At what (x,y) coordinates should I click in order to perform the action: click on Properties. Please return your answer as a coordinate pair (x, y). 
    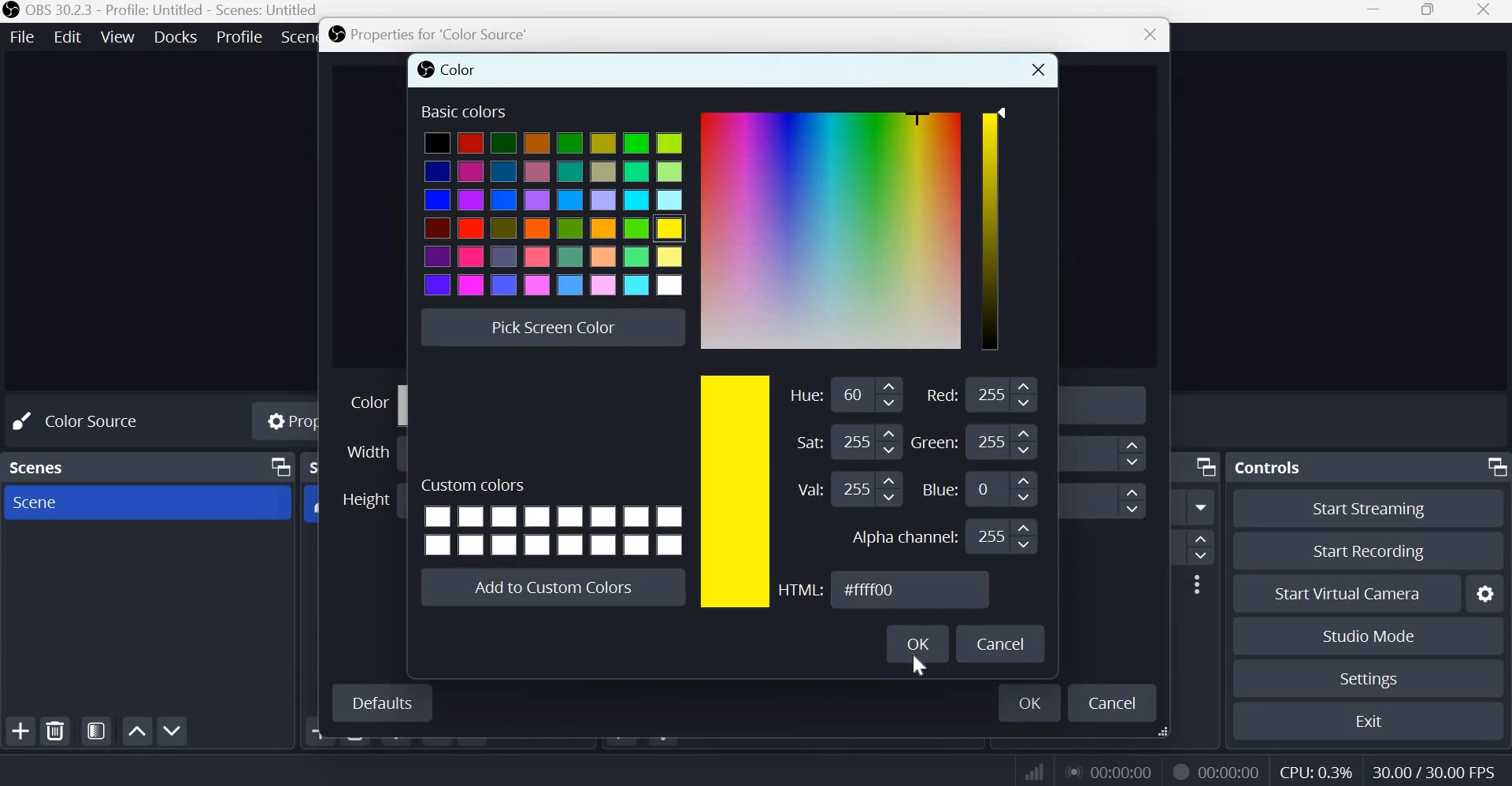
    Looking at the image, I should click on (287, 423).